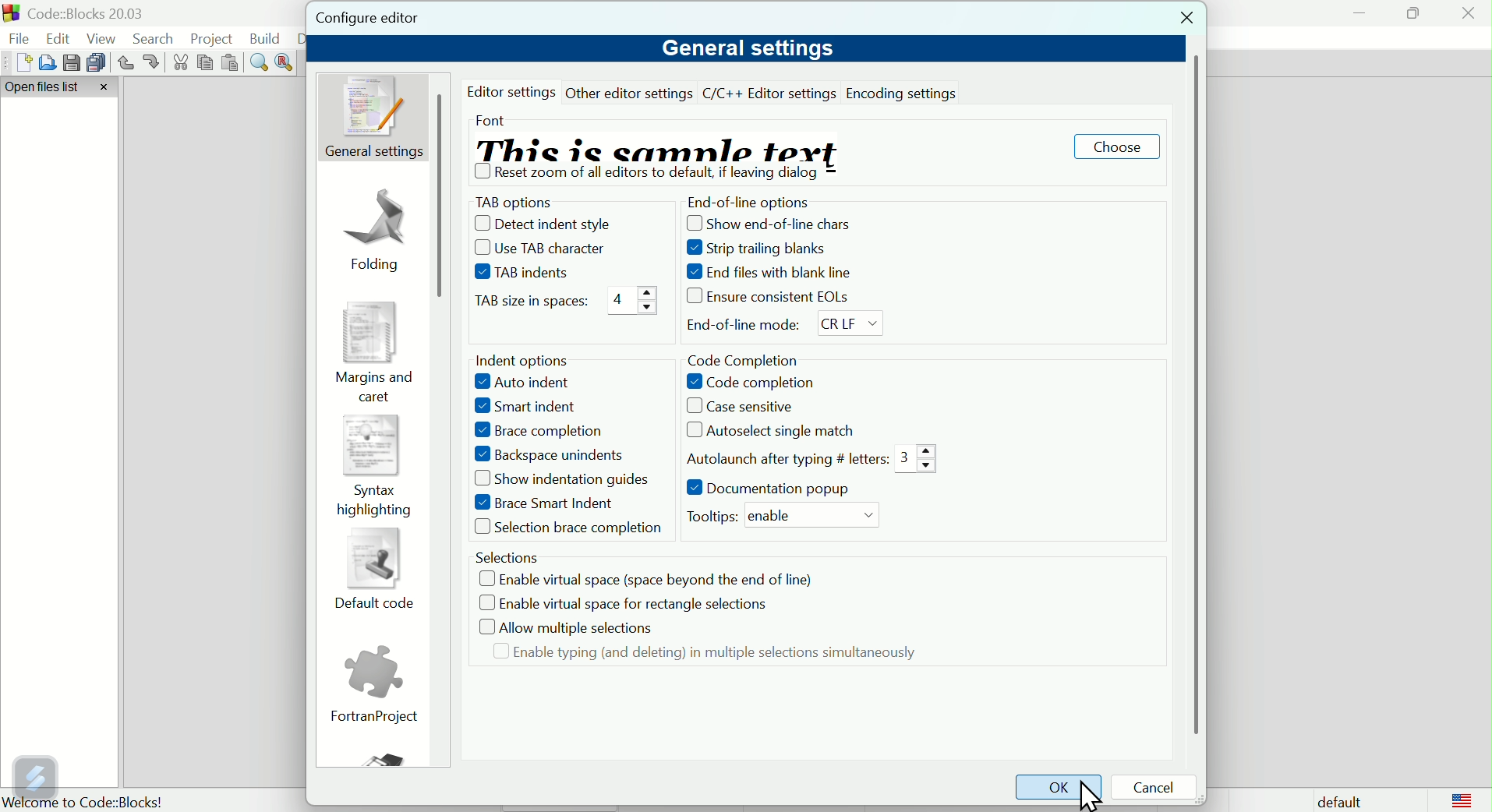 The image size is (1492, 812). I want to click on Paste, so click(232, 63).